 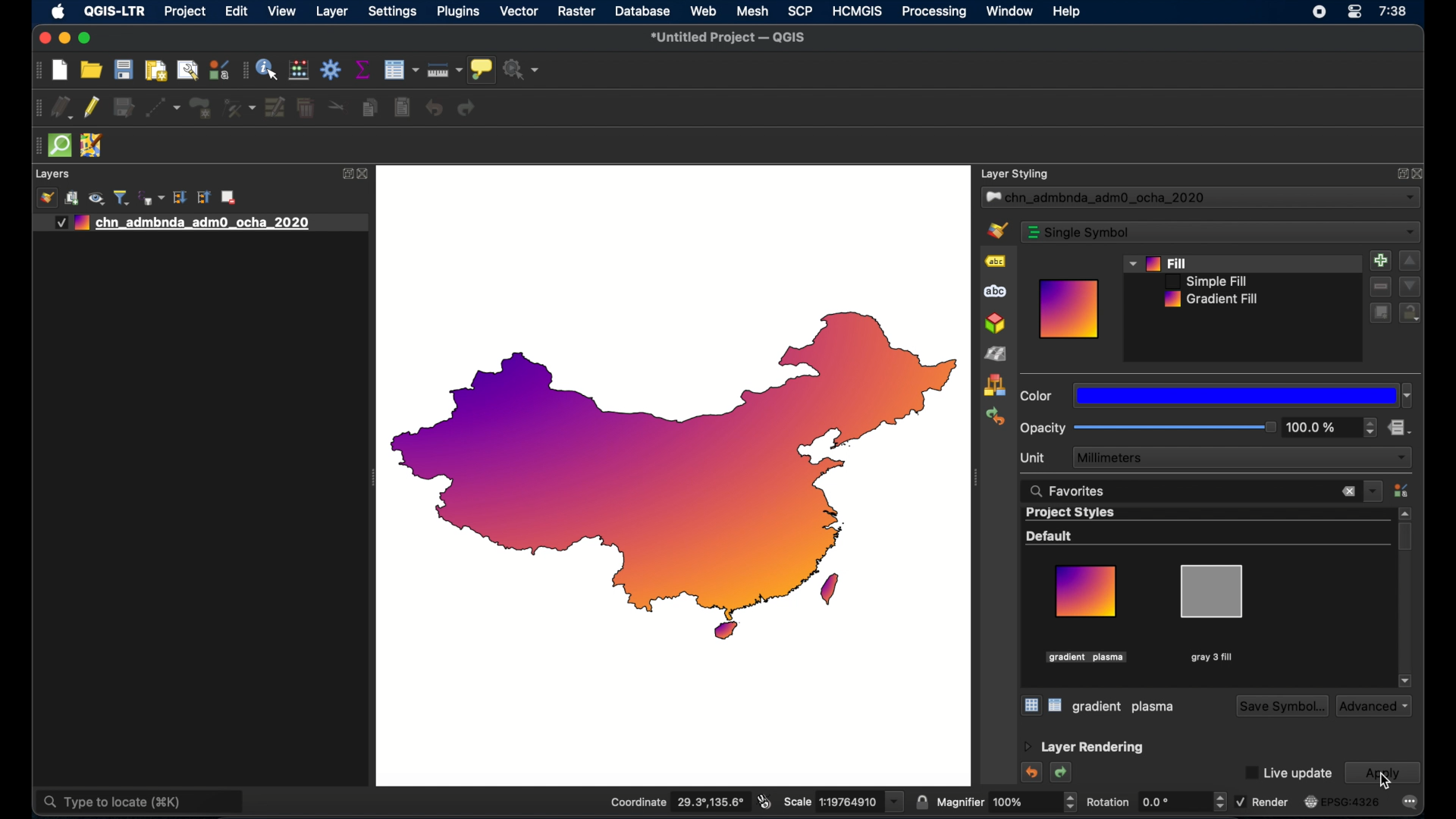 I want to click on filter legend, so click(x=122, y=197).